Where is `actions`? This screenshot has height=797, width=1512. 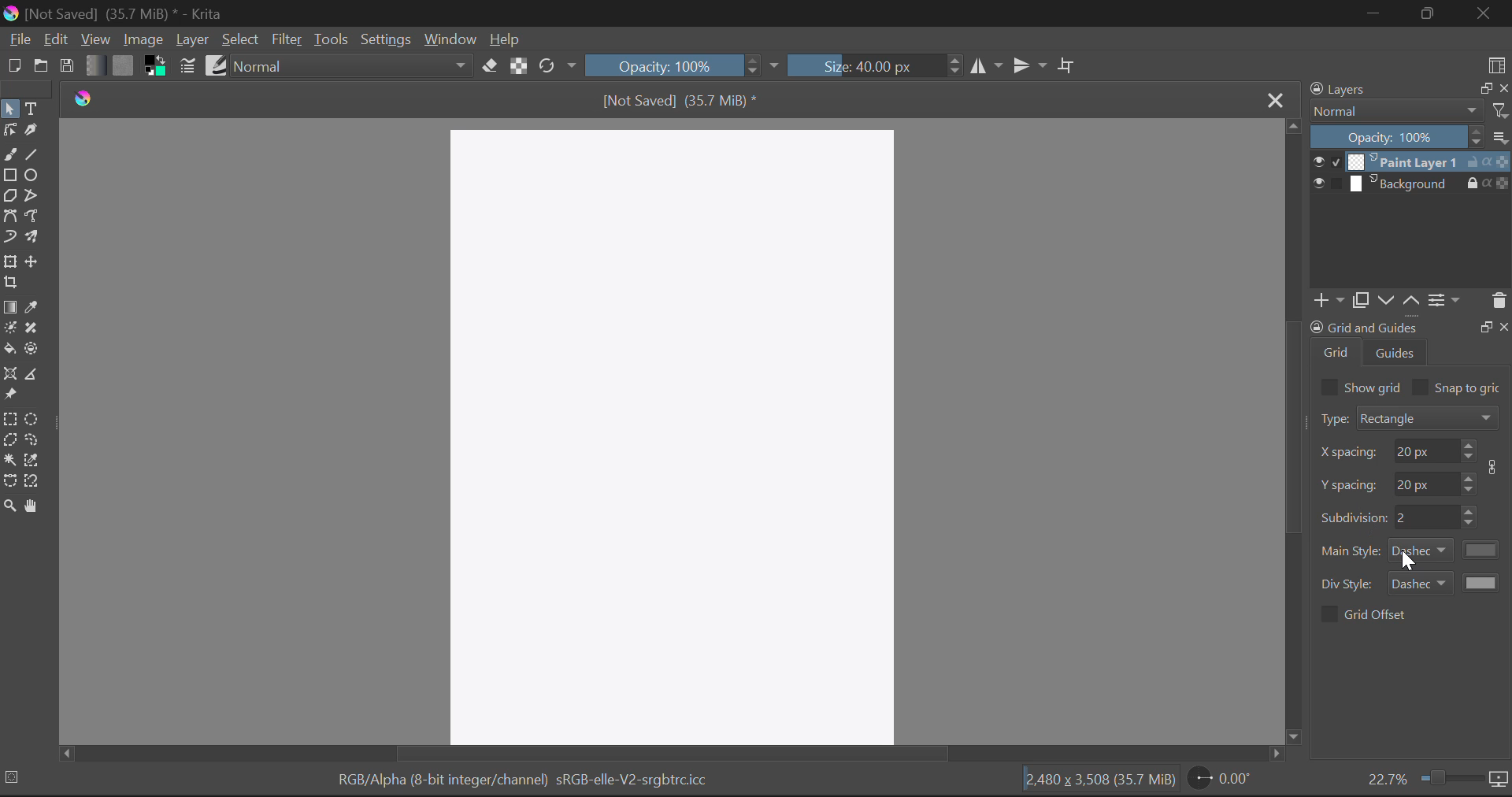
actions is located at coordinates (1488, 182).